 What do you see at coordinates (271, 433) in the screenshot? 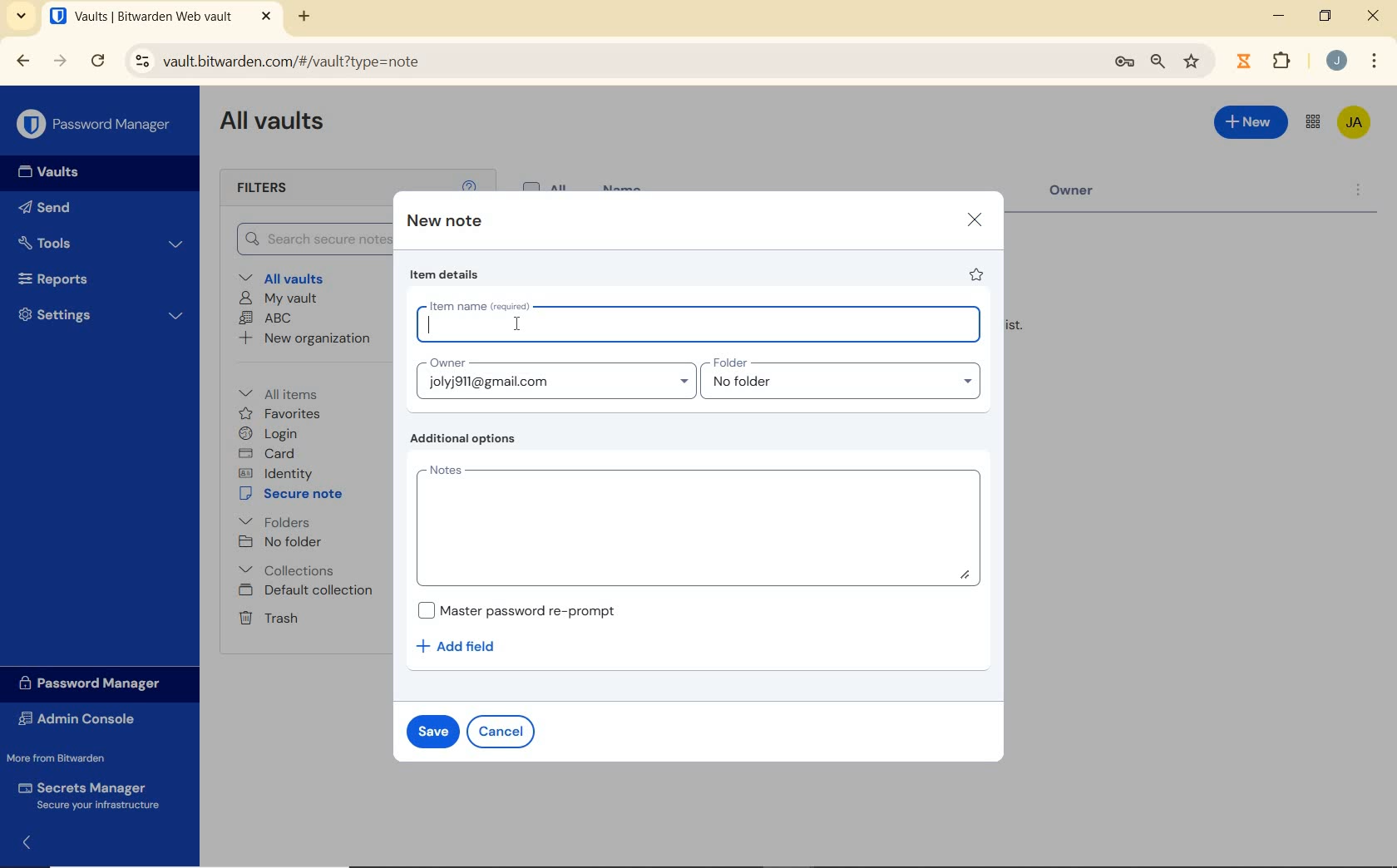
I see `login` at bounding box center [271, 433].